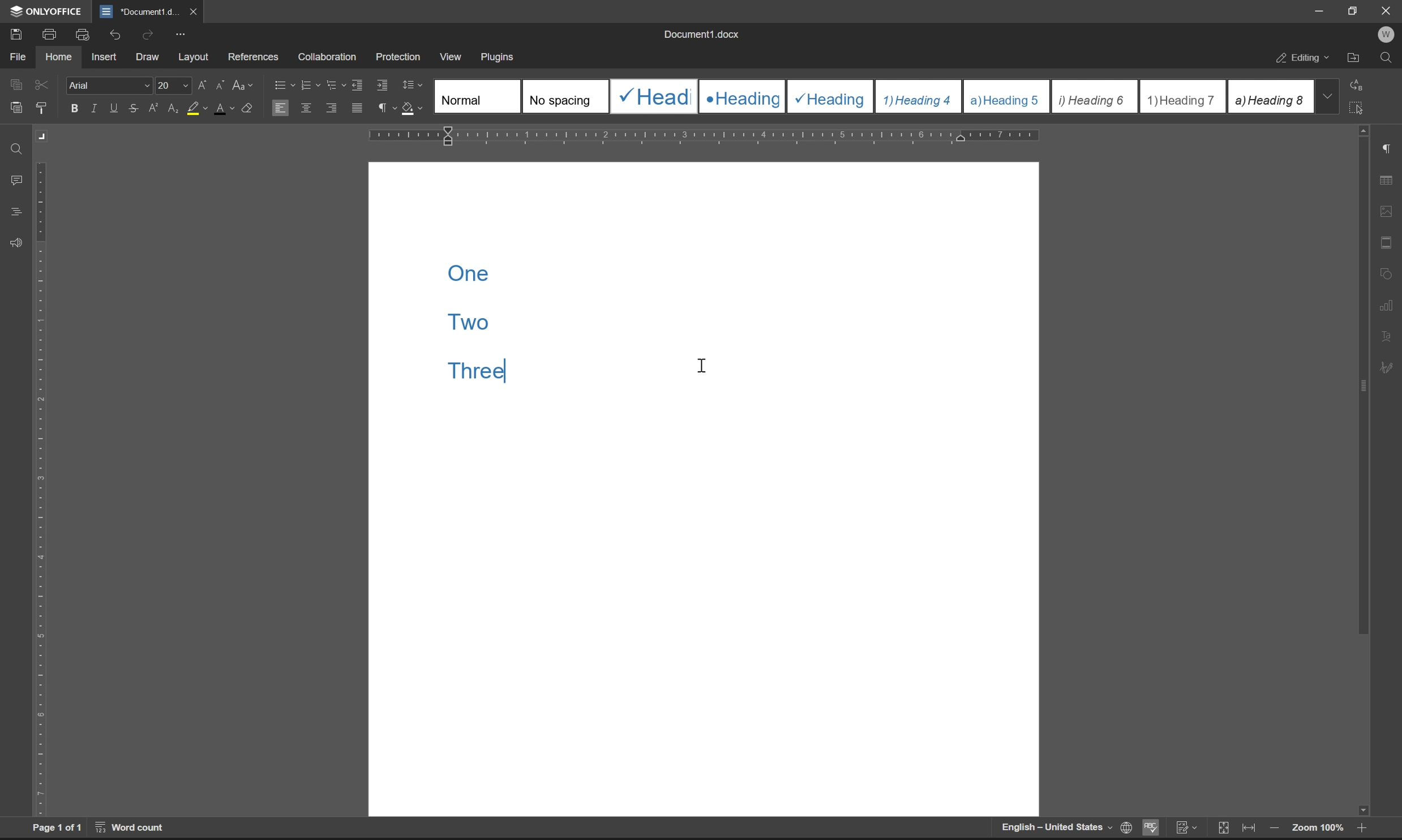  Describe the element at coordinates (1361, 471) in the screenshot. I see `scroll bar` at that location.